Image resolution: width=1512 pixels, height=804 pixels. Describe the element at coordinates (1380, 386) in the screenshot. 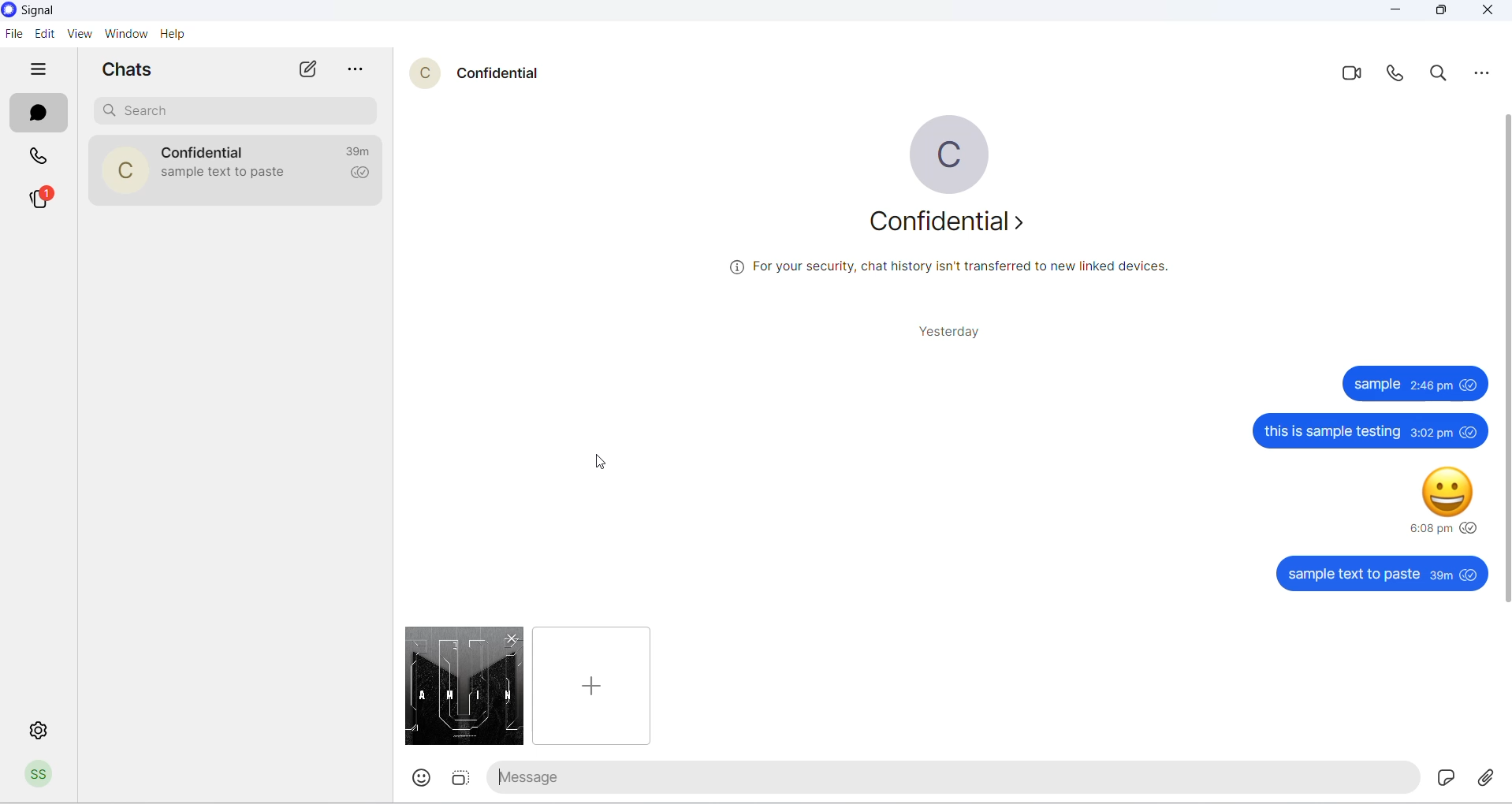

I see `sample` at that location.